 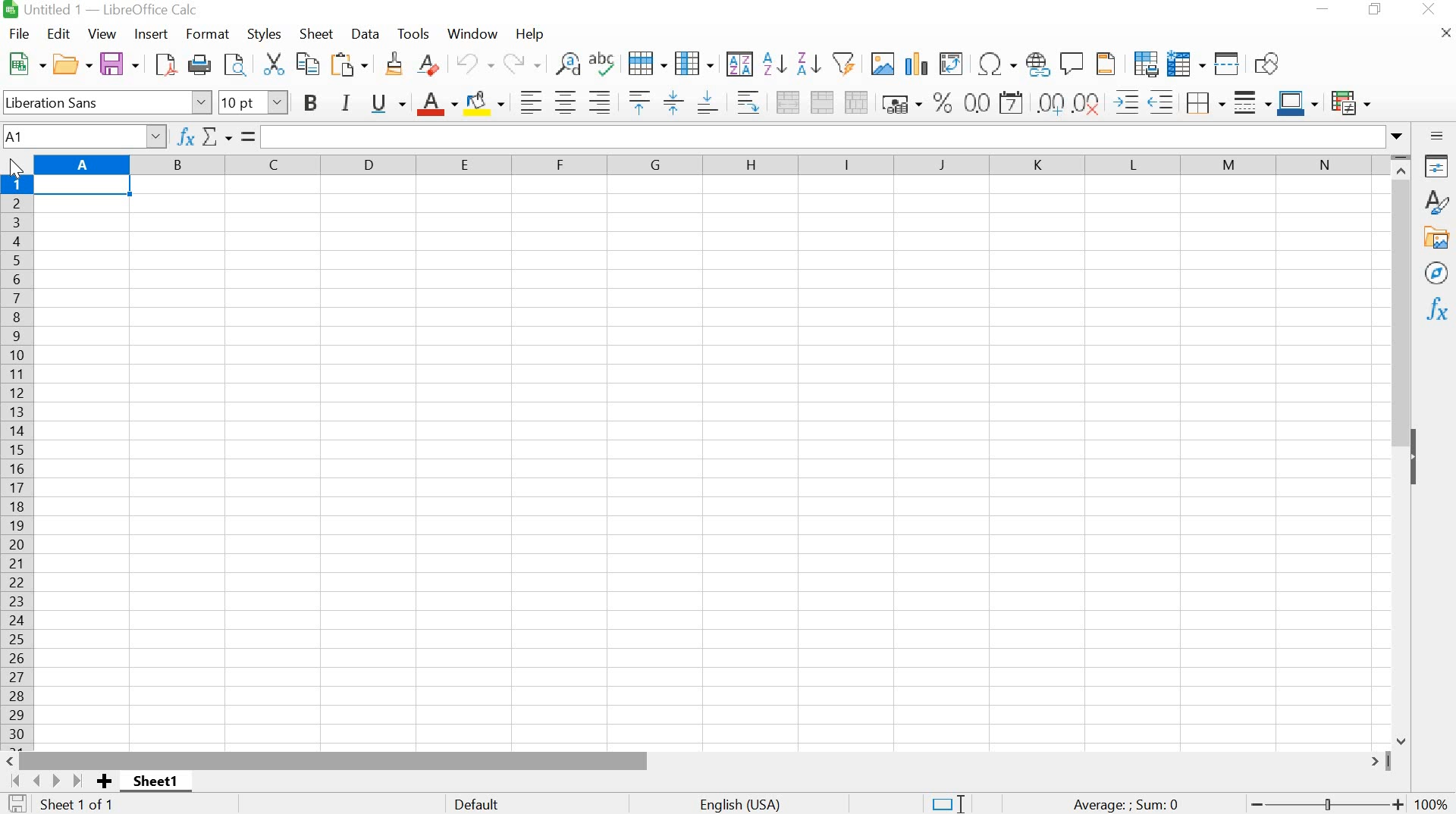 I want to click on Input line, so click(x=834, y=136).